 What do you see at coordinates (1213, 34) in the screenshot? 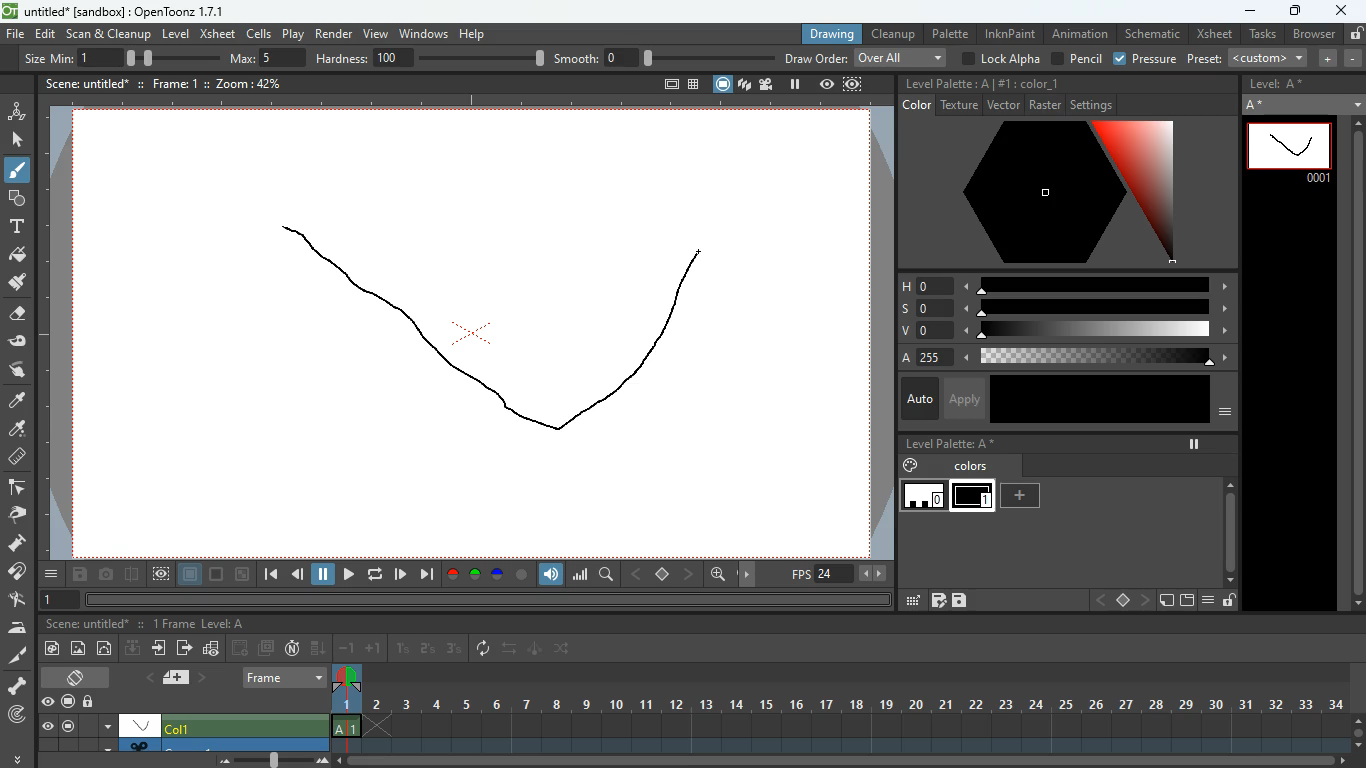
I see `xsheet` at bounding box center [1213, 34].